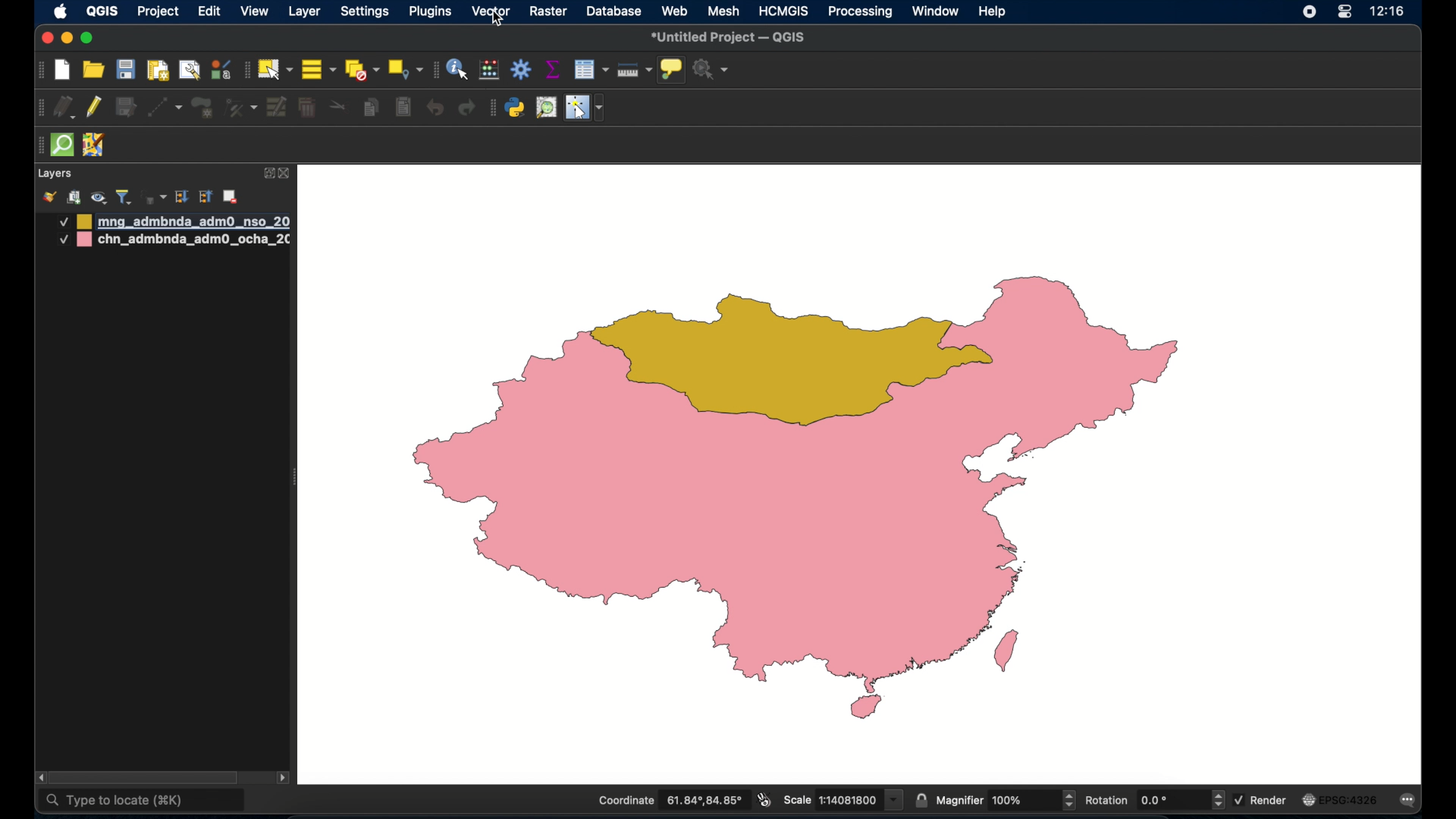 The height and width of the screenshot is (819, 1456). Describe the element at coordinates (1006, 800) in the screenshot. I see `magnifier` at that location.